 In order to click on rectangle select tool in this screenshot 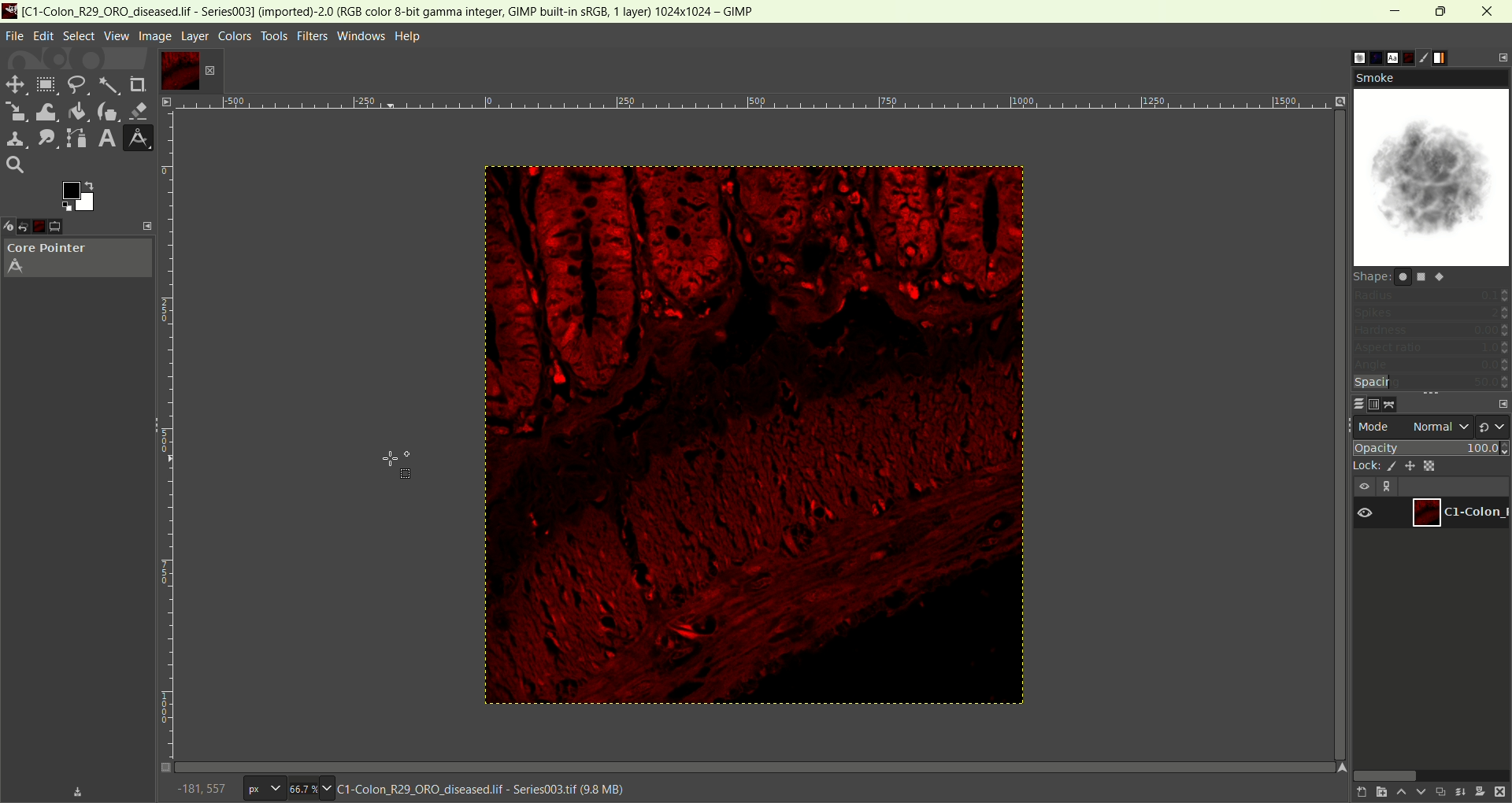, I will do `click(46, 84)`.